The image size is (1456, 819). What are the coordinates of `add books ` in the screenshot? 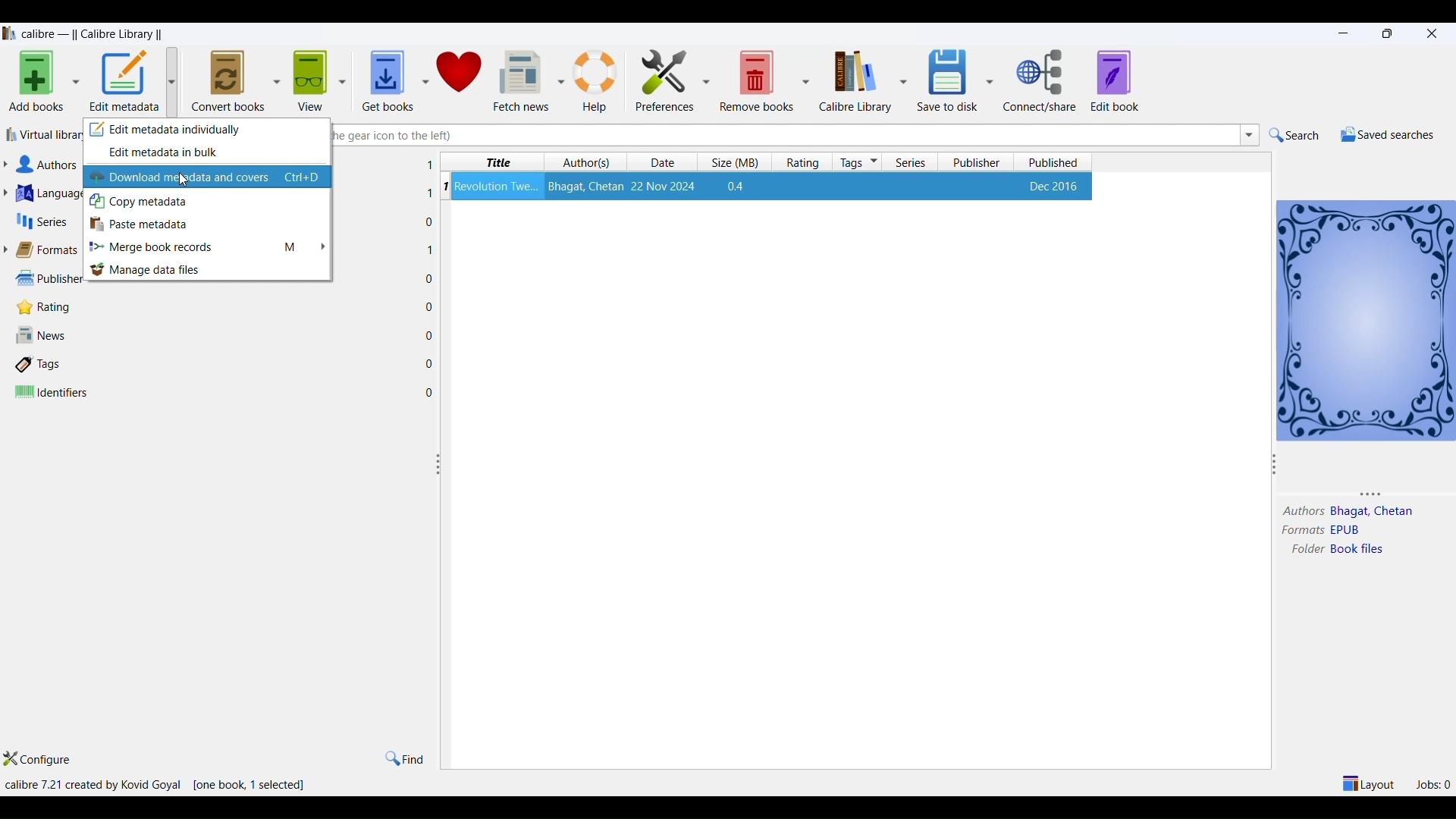 It's located at (34, 80).